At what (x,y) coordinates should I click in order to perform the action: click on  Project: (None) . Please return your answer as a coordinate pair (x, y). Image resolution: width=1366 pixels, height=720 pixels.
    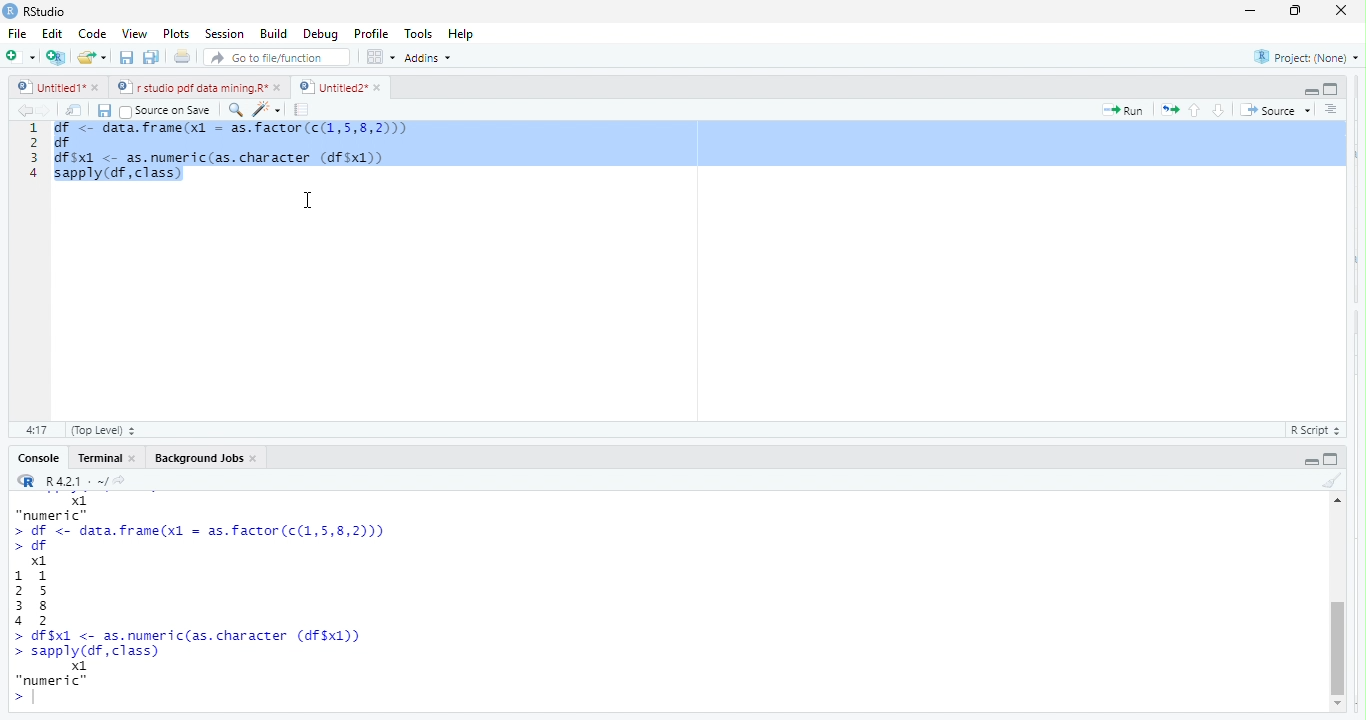
    Looking at the image, I should click on (1307, 58).